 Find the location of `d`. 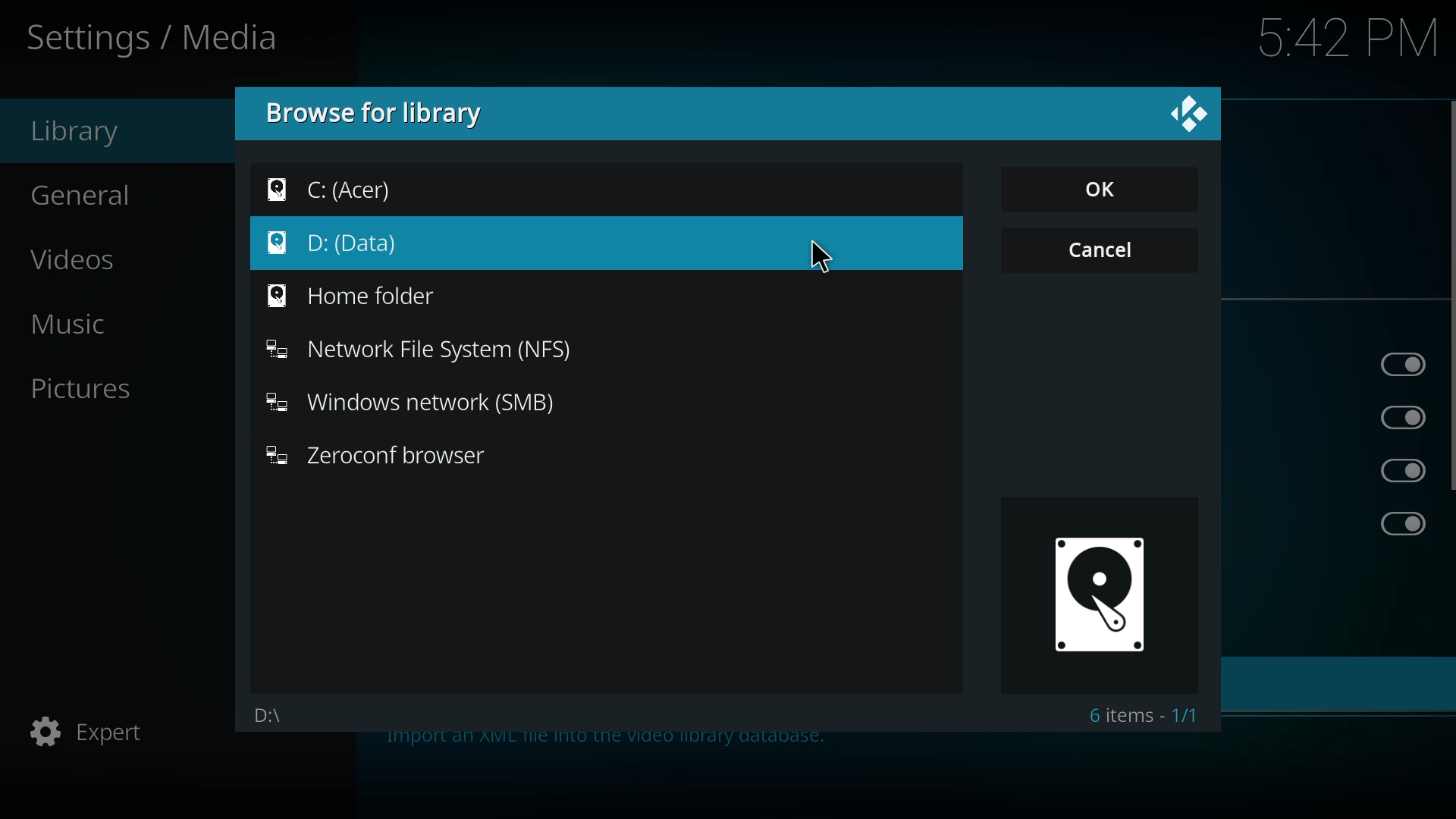

d is located at coordinates (273, 713).